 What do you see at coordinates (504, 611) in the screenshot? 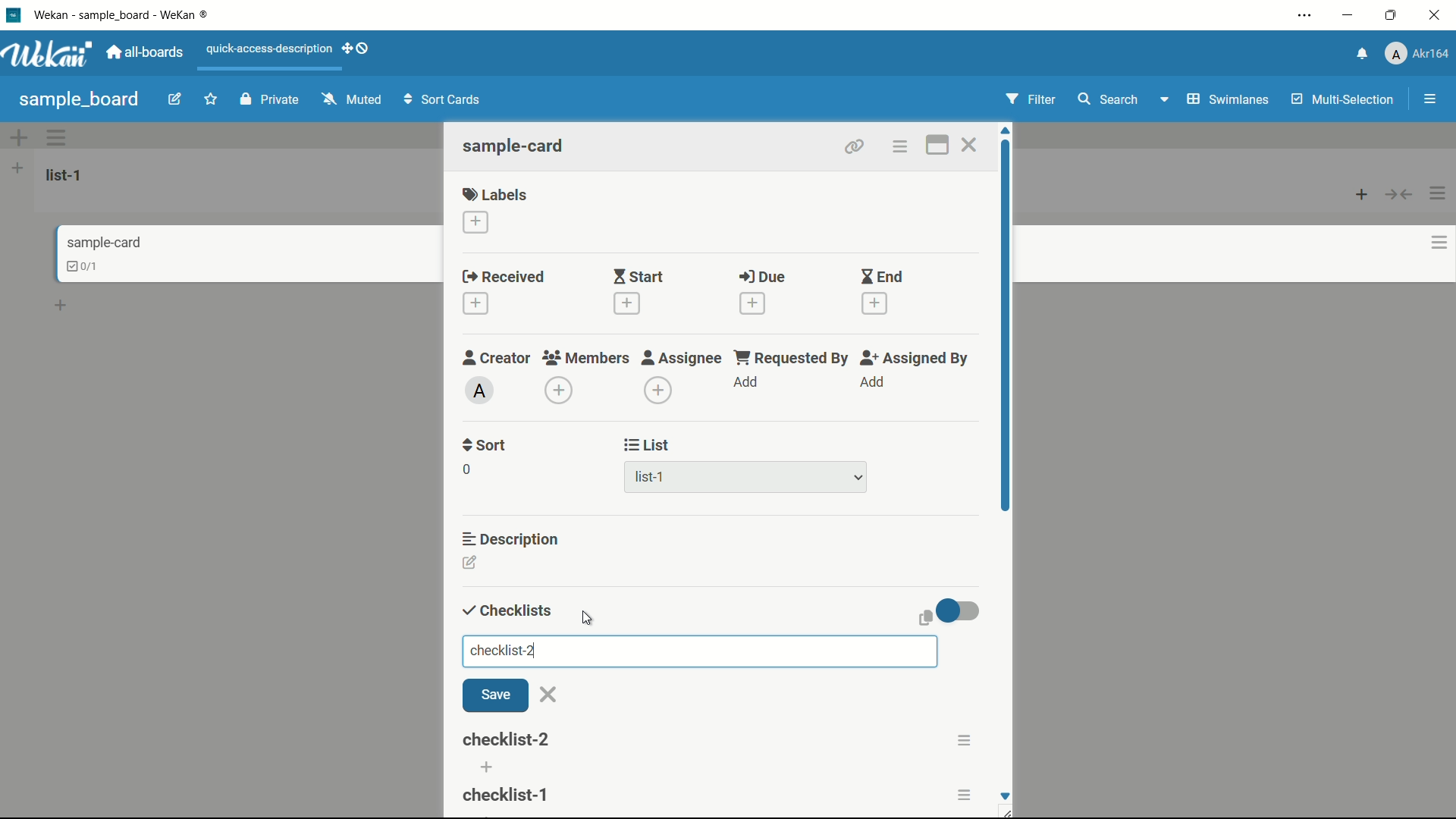
I see `checklist` at bounding box center [504, 611].